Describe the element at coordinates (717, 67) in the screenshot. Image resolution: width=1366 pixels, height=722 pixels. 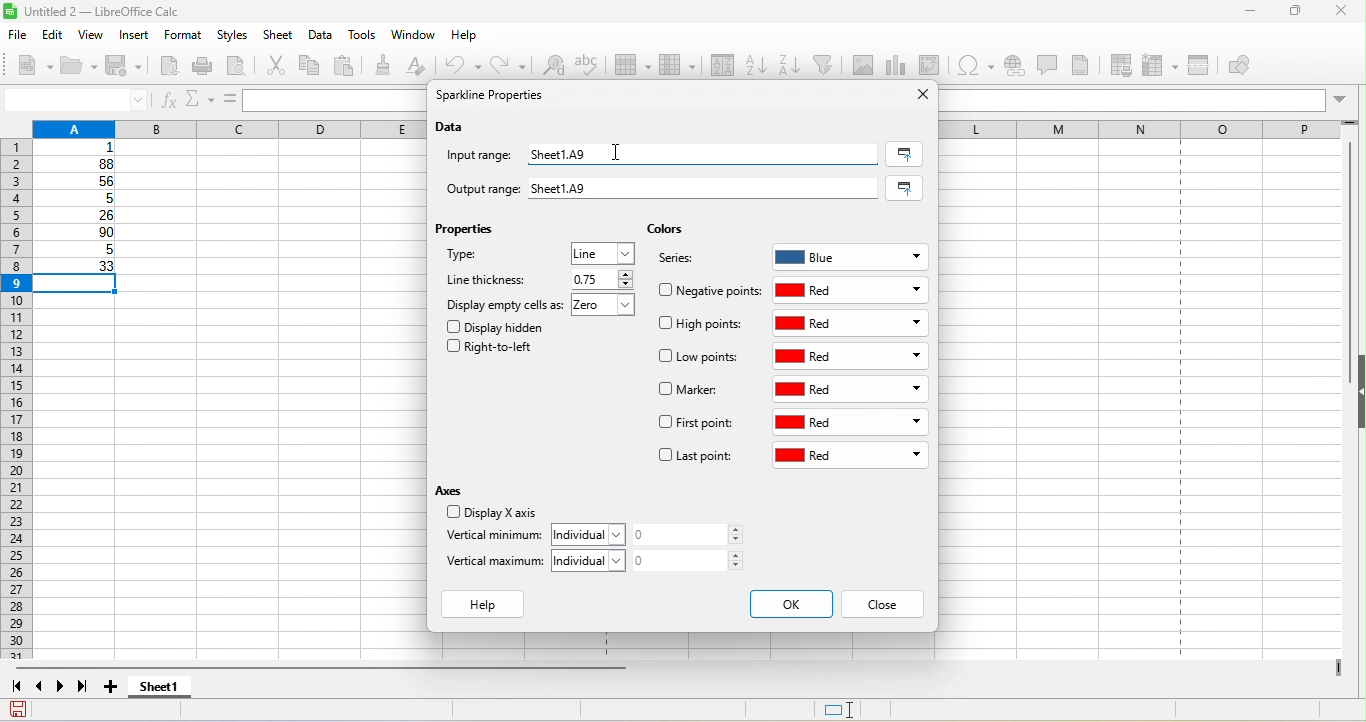
I see `sort` at that location.